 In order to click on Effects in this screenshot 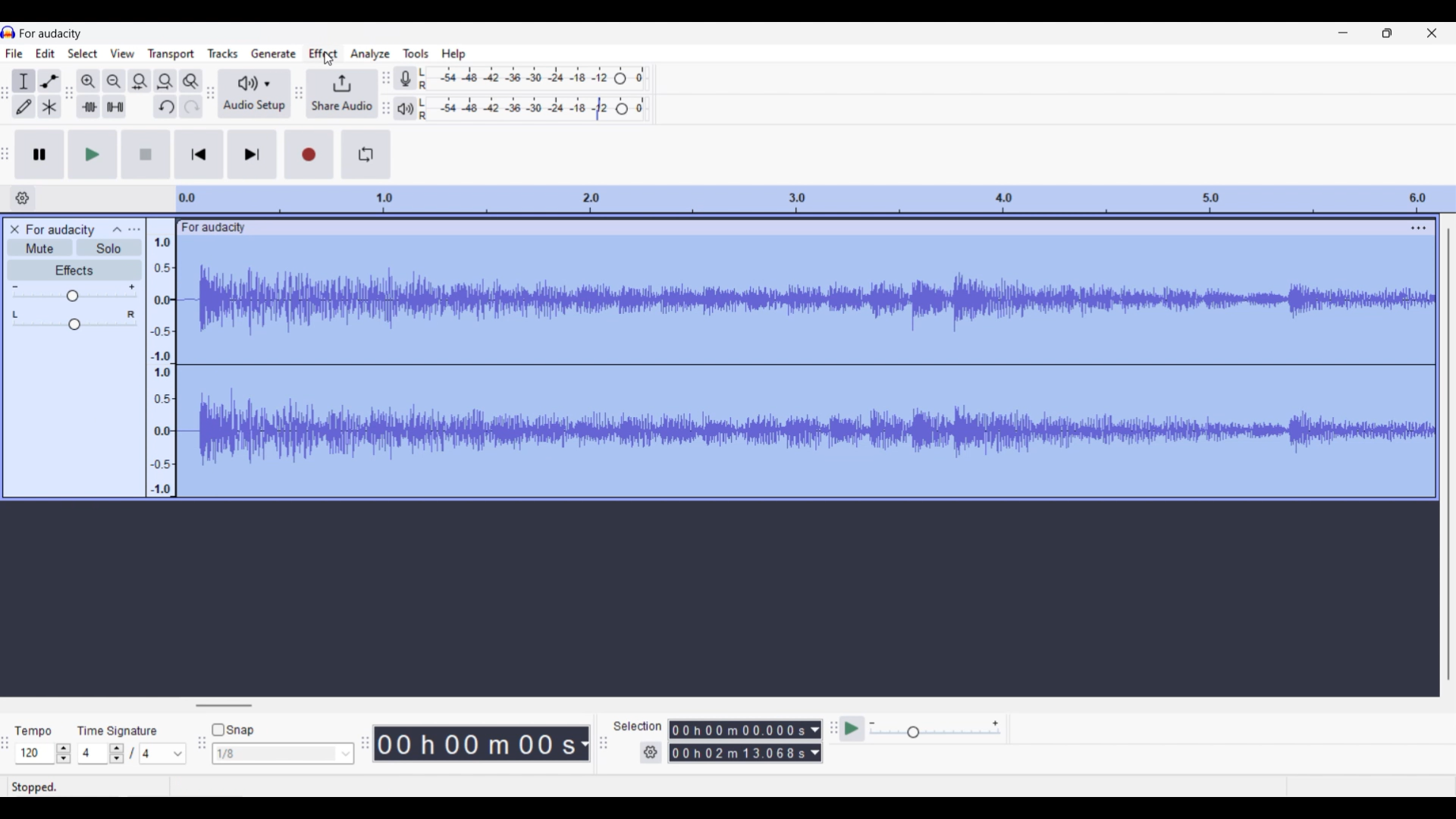, I will do `click(53, 270)`.